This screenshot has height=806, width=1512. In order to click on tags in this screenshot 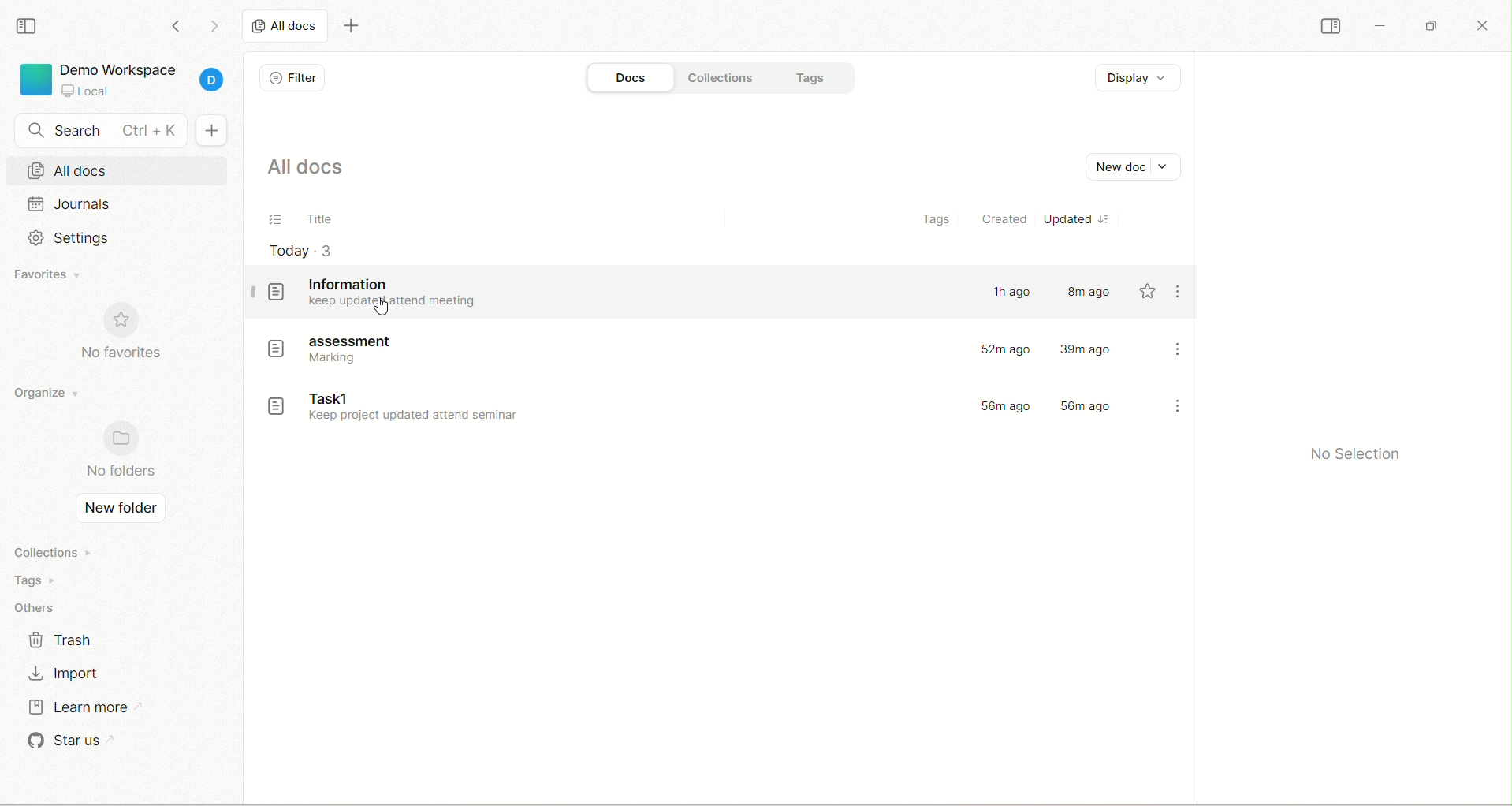, I will do `click(815, 78)`.